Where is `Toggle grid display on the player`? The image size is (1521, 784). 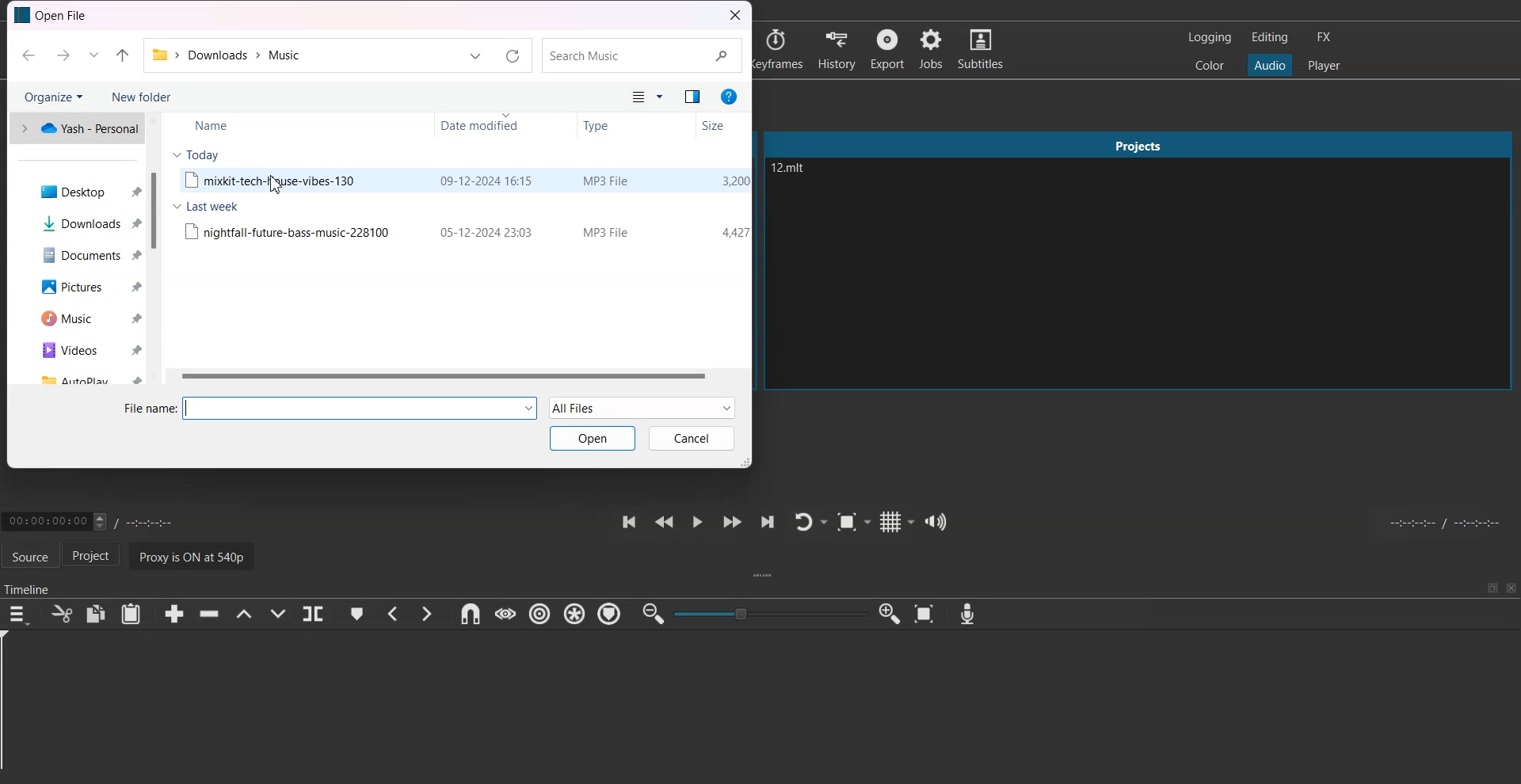 Toggle grid display on the player is located at coordinates (898, 520).